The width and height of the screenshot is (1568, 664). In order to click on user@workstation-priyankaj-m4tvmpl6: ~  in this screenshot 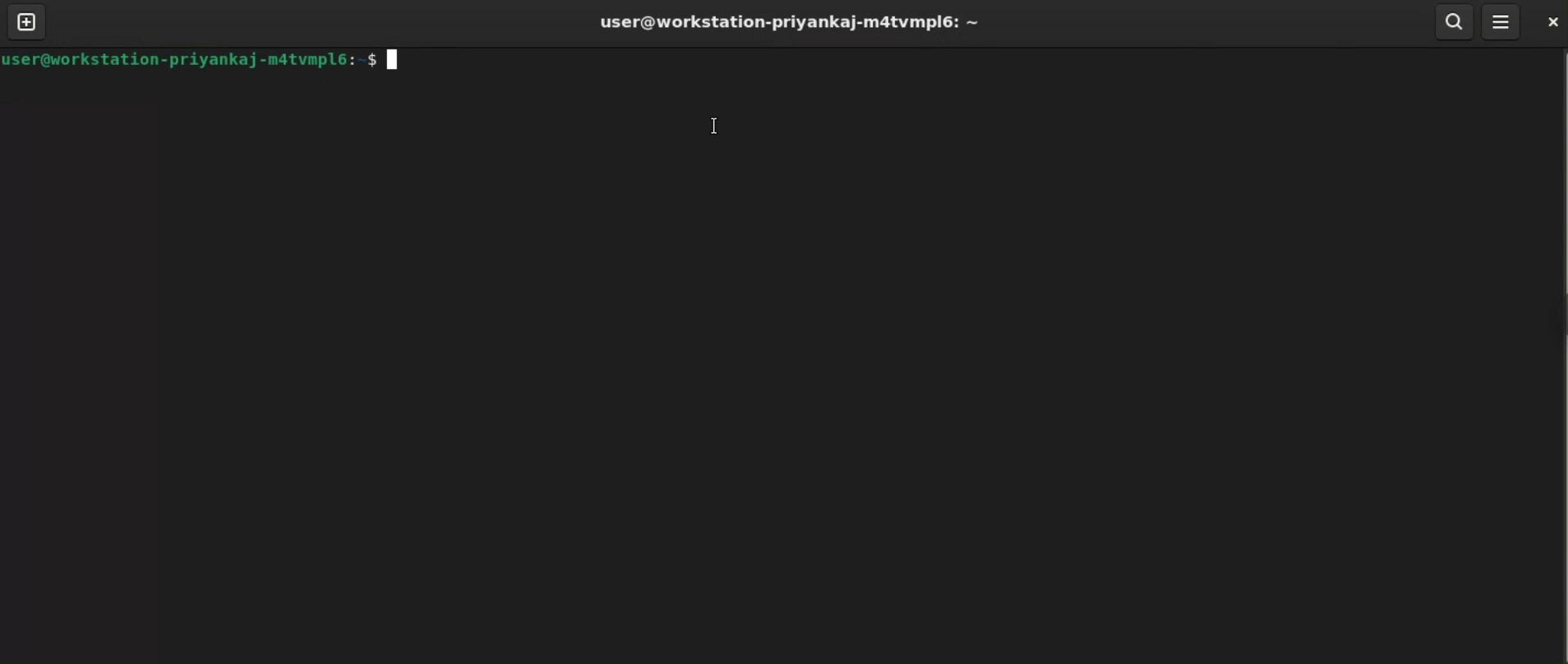, I will do `click(786, 22)`.